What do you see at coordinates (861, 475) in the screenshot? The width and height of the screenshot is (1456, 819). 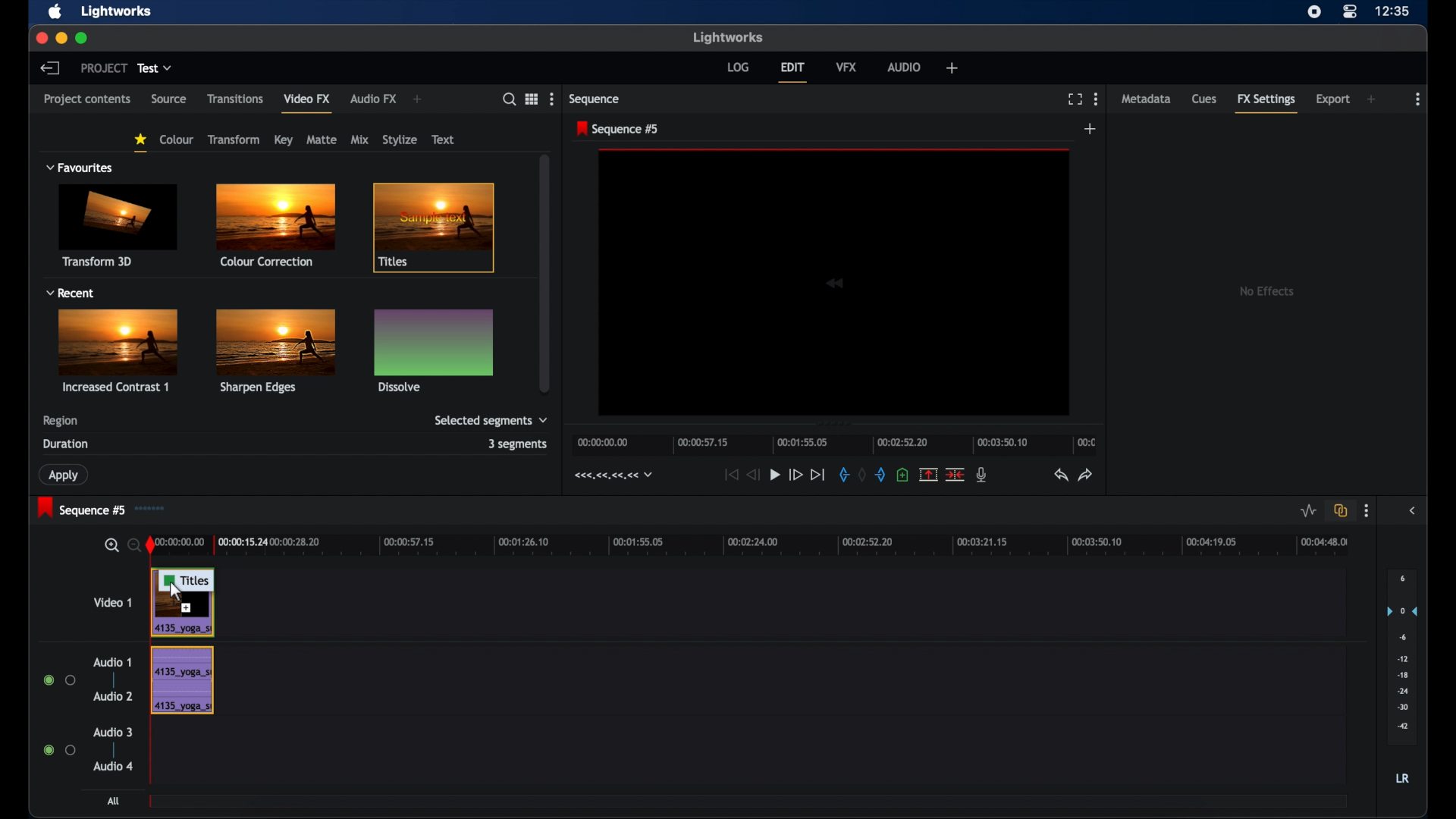 I see `remove markers` at bounding box center [861, 475].